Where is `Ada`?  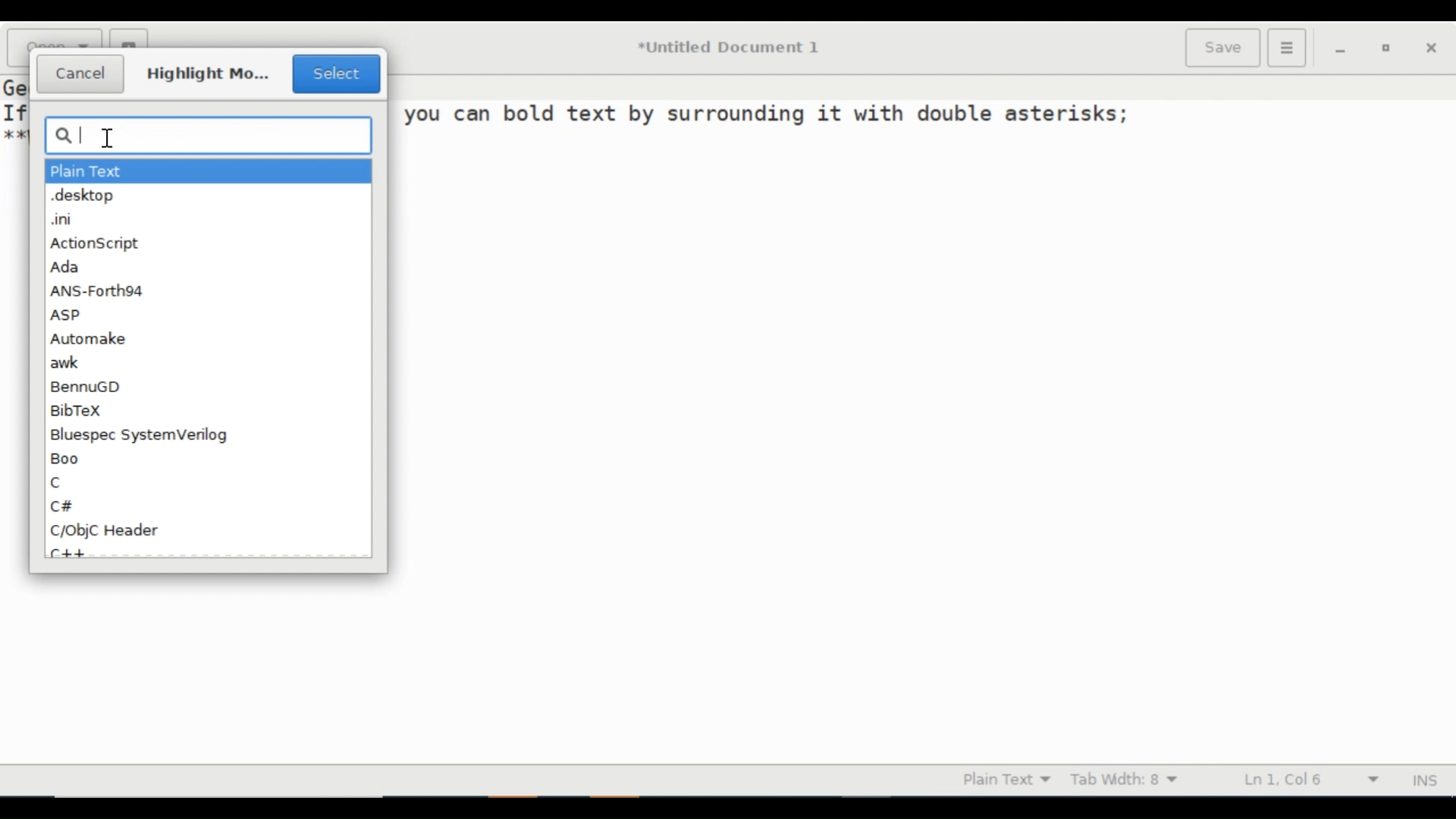
Ada is located at coordinates (67, 265).